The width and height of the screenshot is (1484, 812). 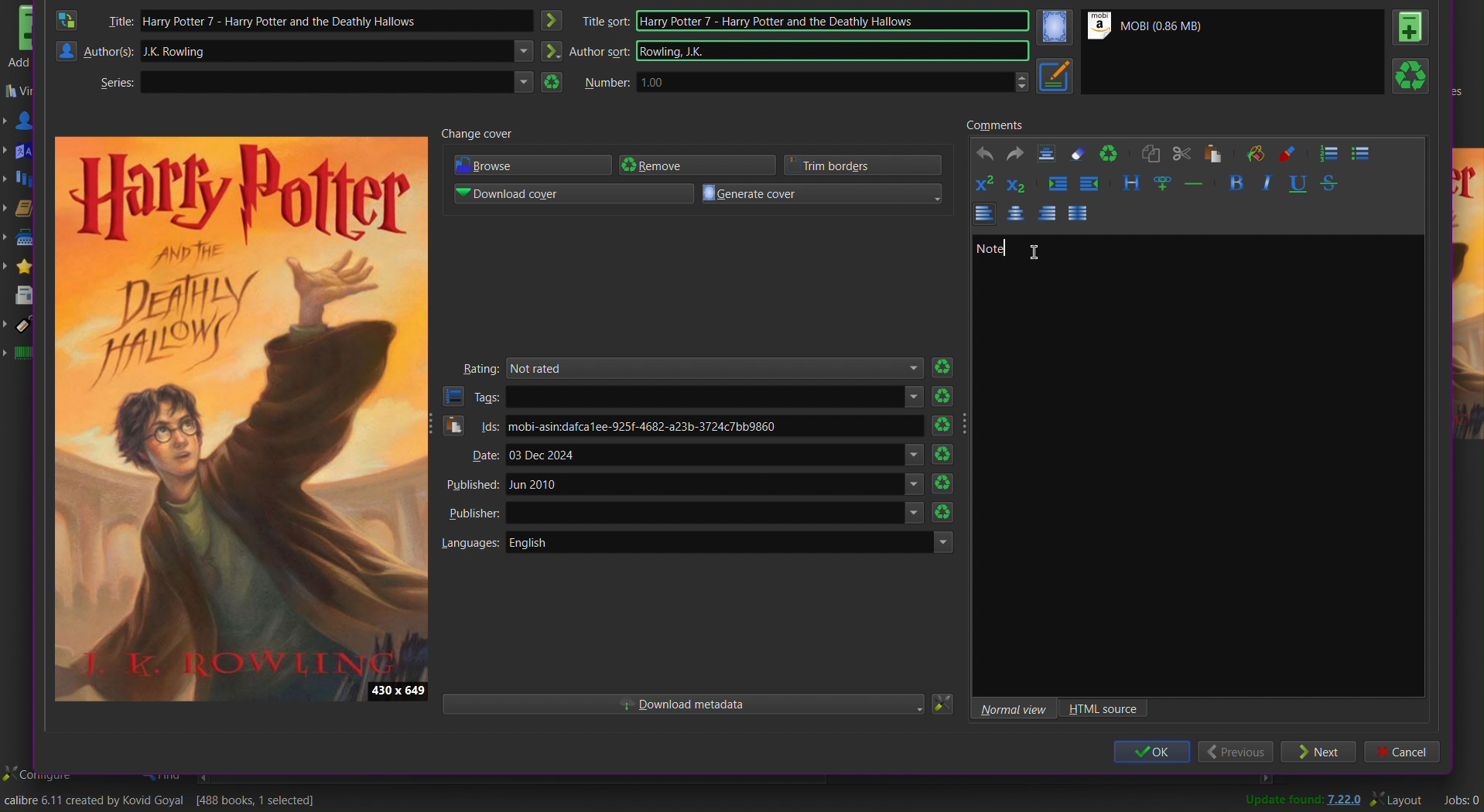 What do you see at coordinates (733, 541) in the screenshot?
I see `English` at bounding box center [733, 541].